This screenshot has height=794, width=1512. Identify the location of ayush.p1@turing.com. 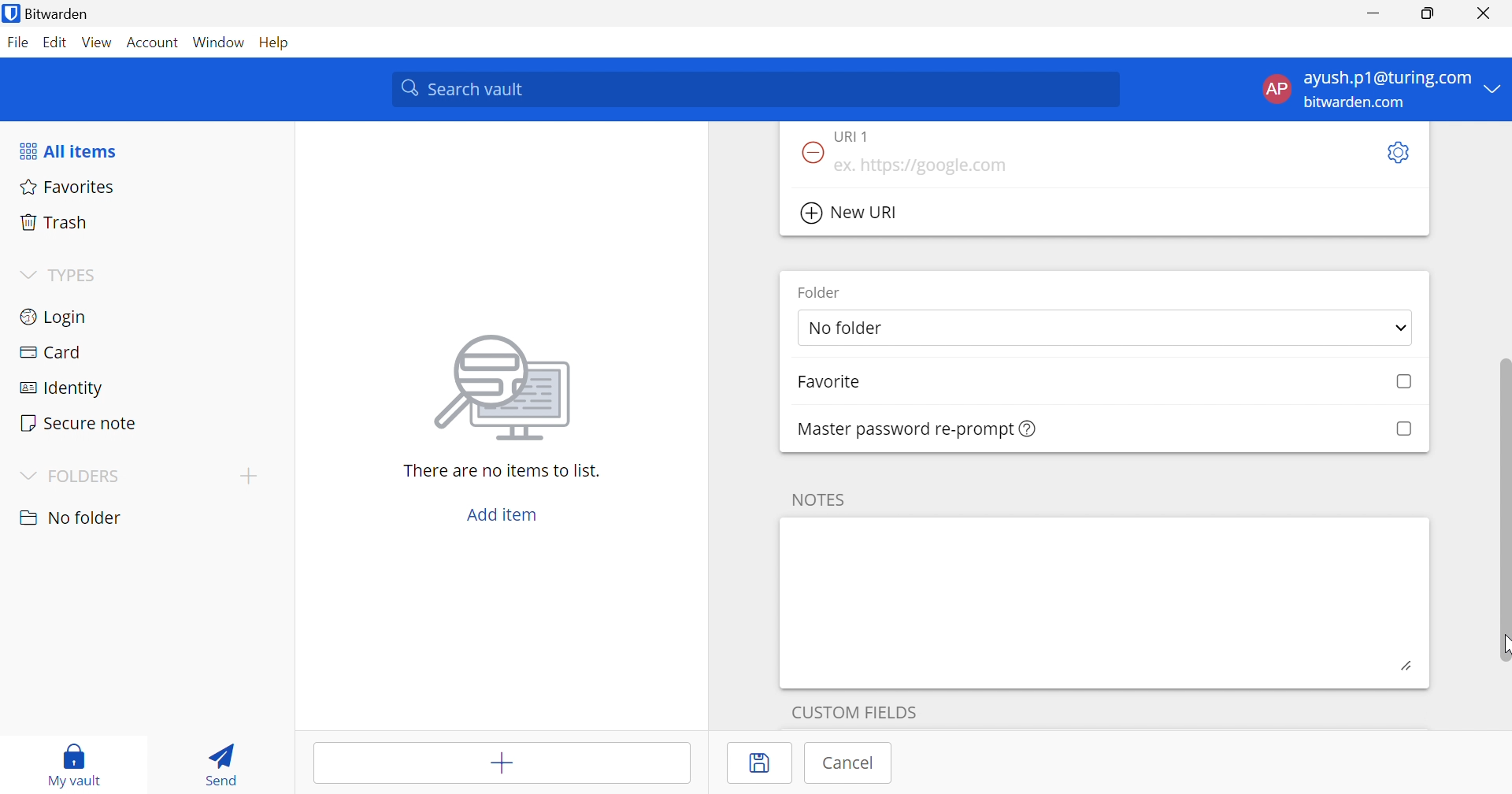
(1388, 79).